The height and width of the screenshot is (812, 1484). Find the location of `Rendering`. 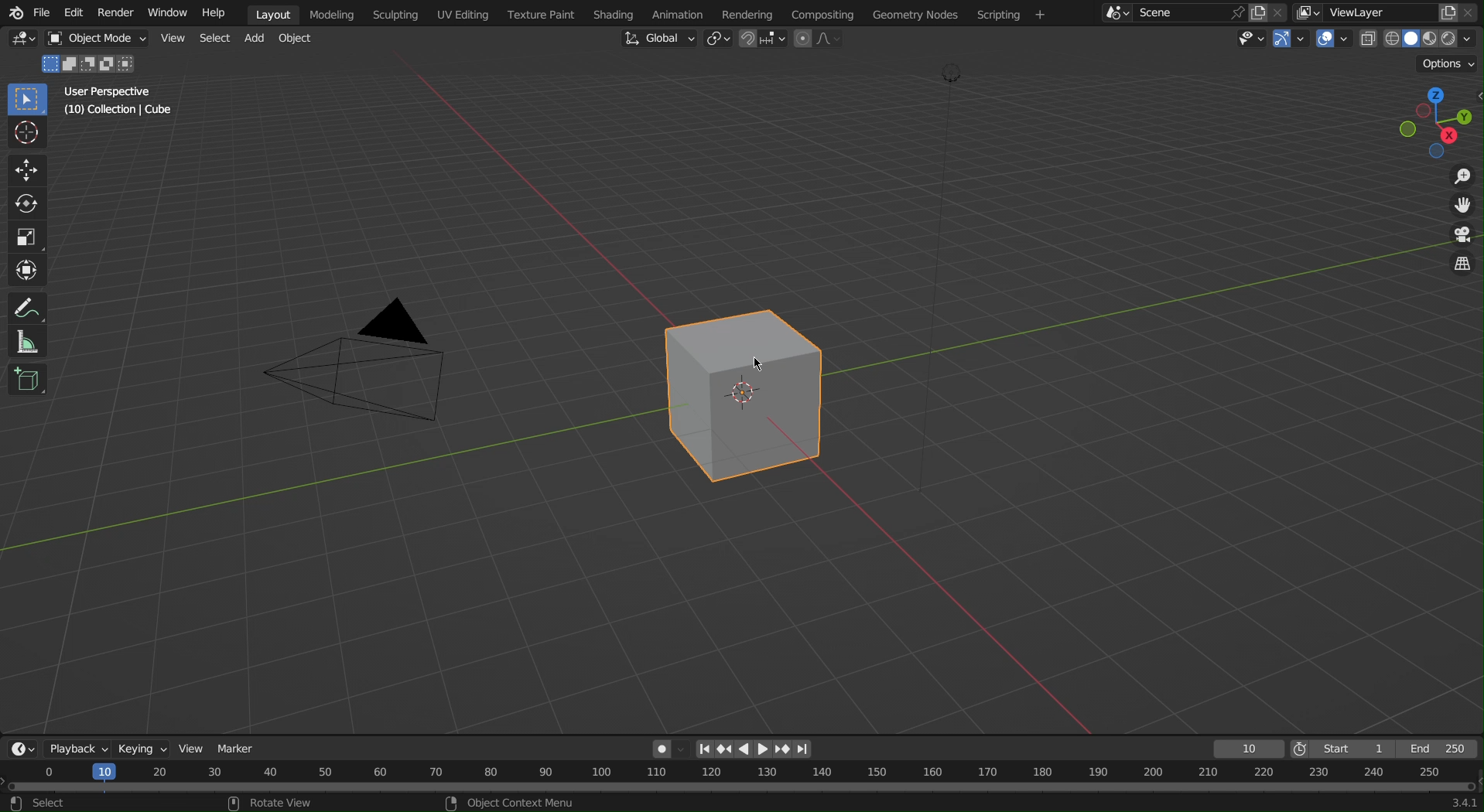

Rendering is located at coordinates (746, 14).